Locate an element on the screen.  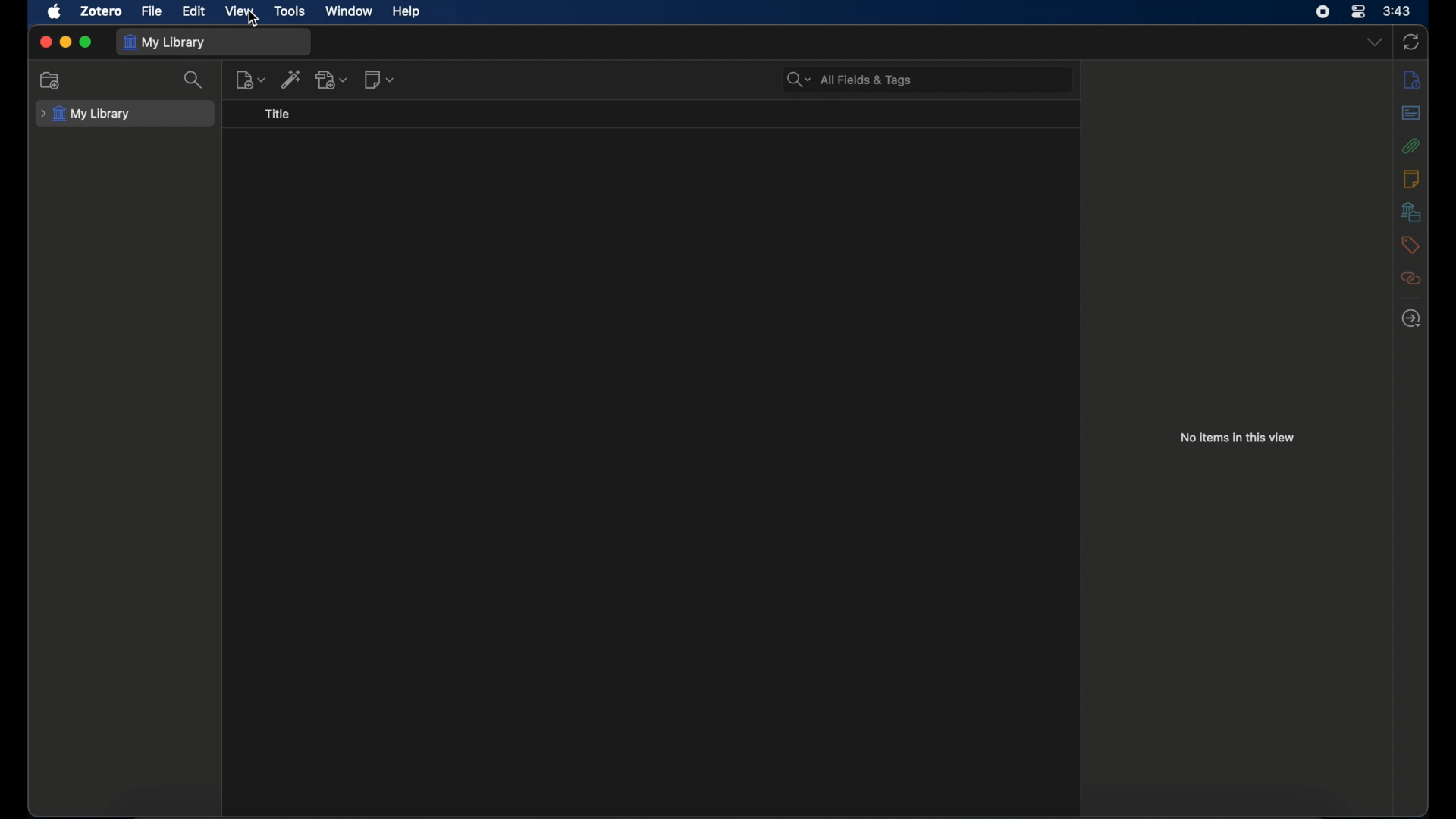
new note is located at coordinates (381, 79).